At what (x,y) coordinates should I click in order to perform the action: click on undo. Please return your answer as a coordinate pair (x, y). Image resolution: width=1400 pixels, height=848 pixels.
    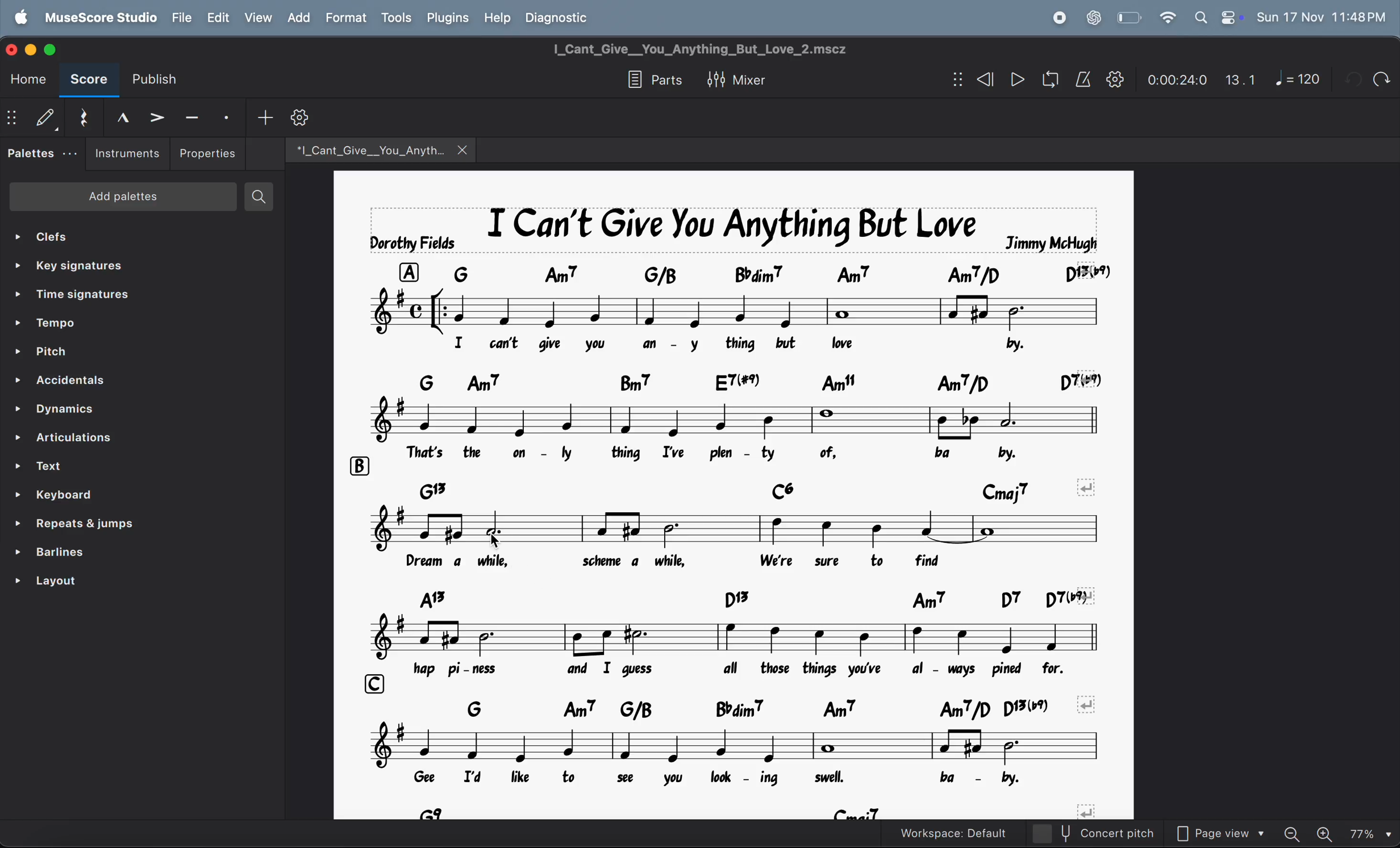
    Looking at the image, I should click on (1349, 80).